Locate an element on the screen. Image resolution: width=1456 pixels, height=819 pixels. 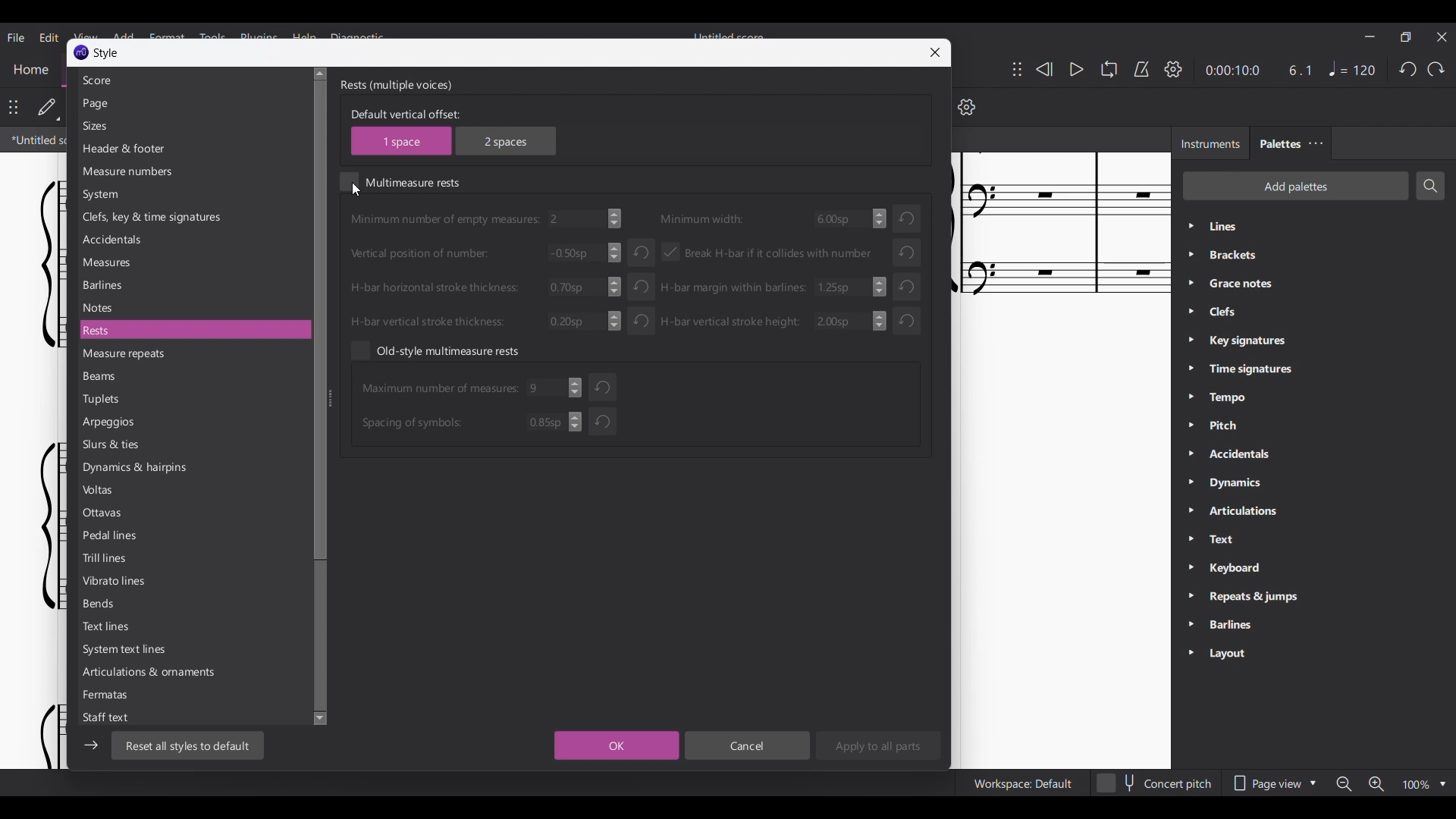
Undo respective changes is located at coordinates (906, 270).